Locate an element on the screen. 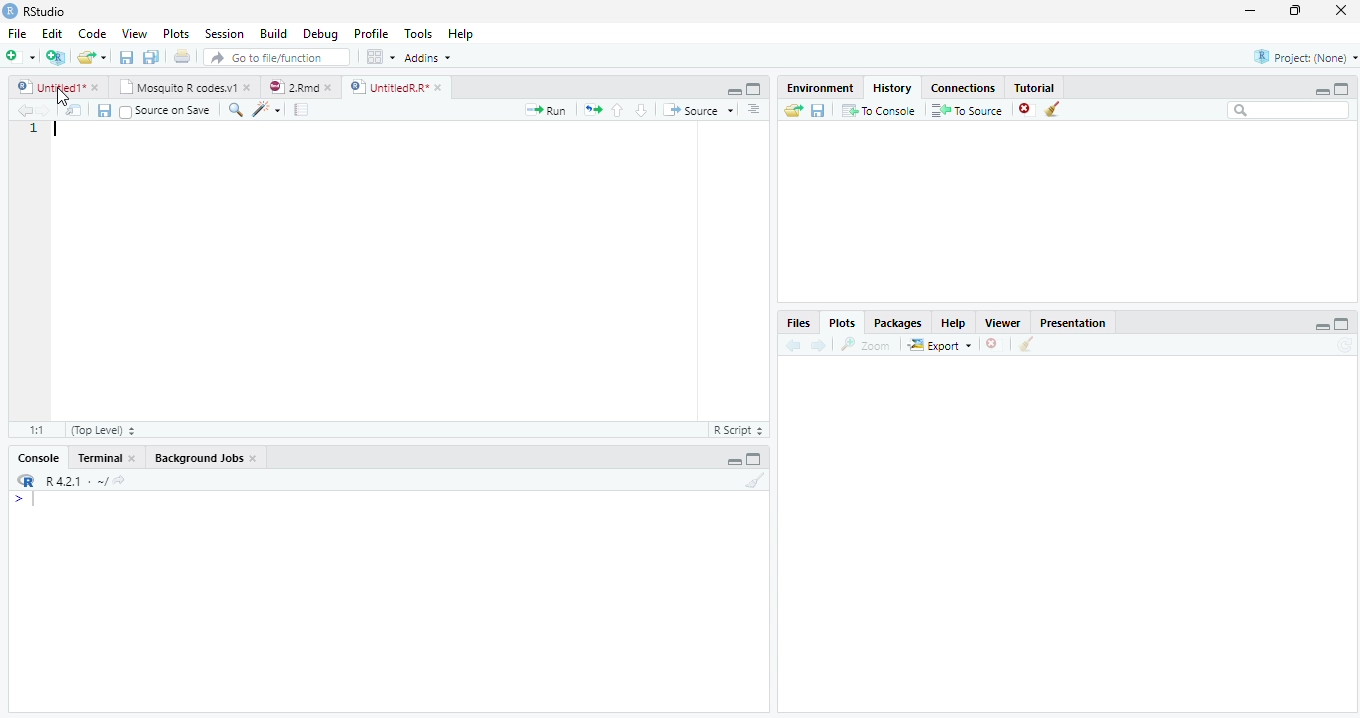 This screenshot has width=1360, height=718. Search is located at coordinates (1289, 113).